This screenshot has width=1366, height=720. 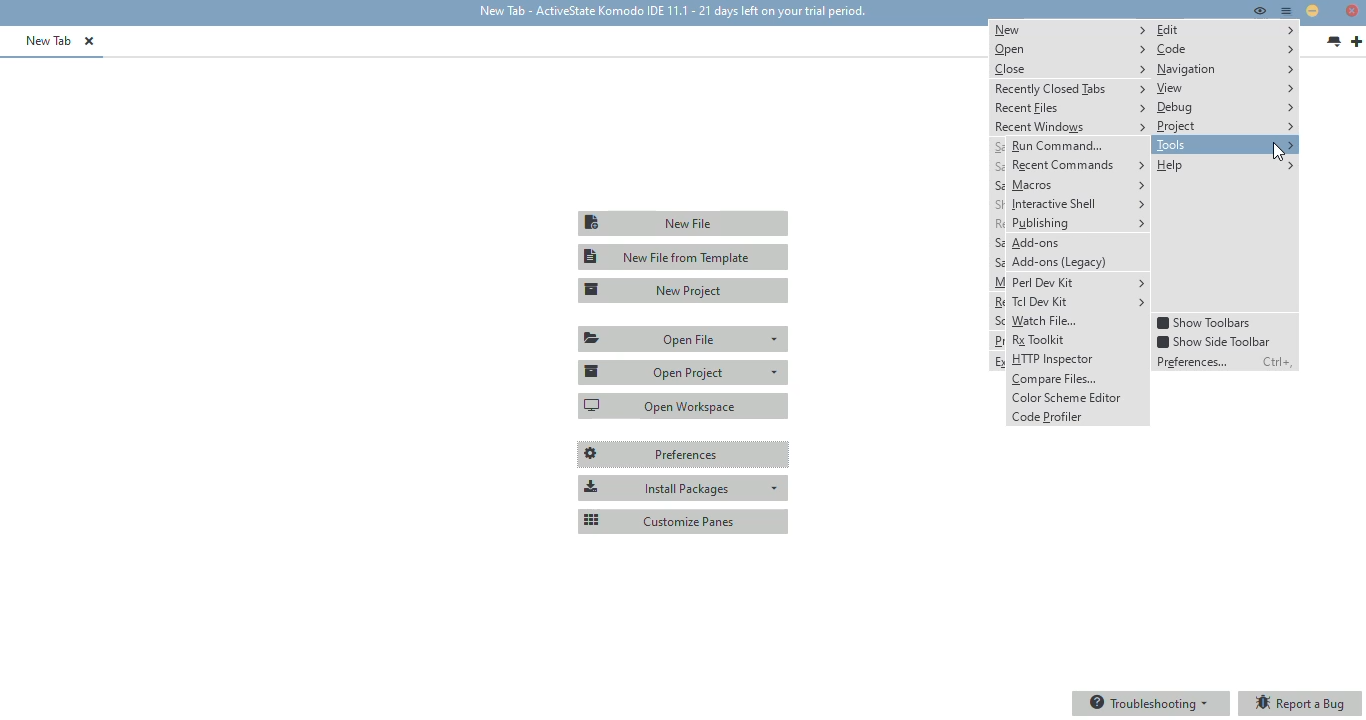 I want to click on new project, so click(x=685, y=290).